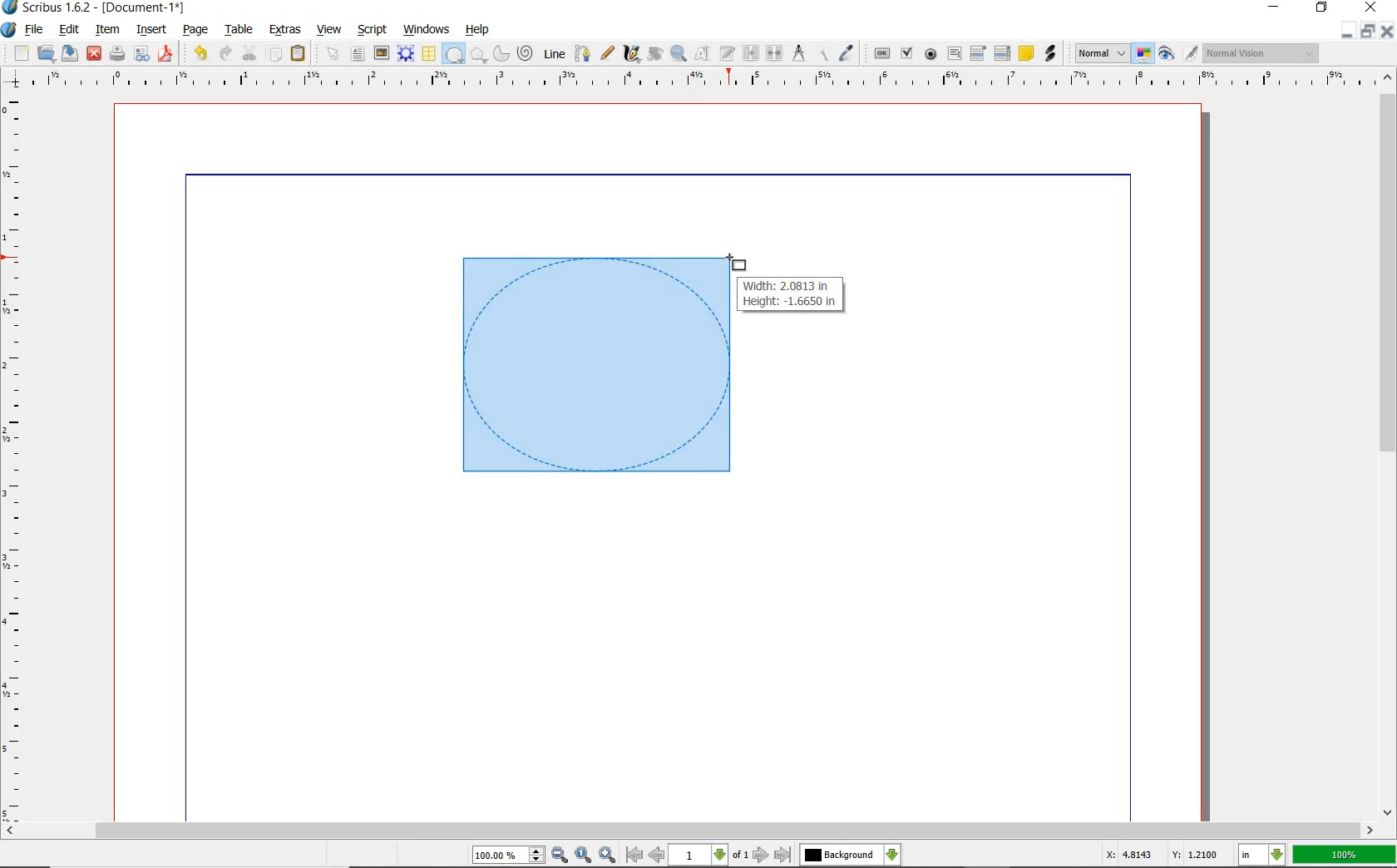 Image resolution: width=1397 pixels, height=868 pixels. What do you see at coordinates (658, 855) in the screenshot?
I see `previous` at bounding box center [658, 855].